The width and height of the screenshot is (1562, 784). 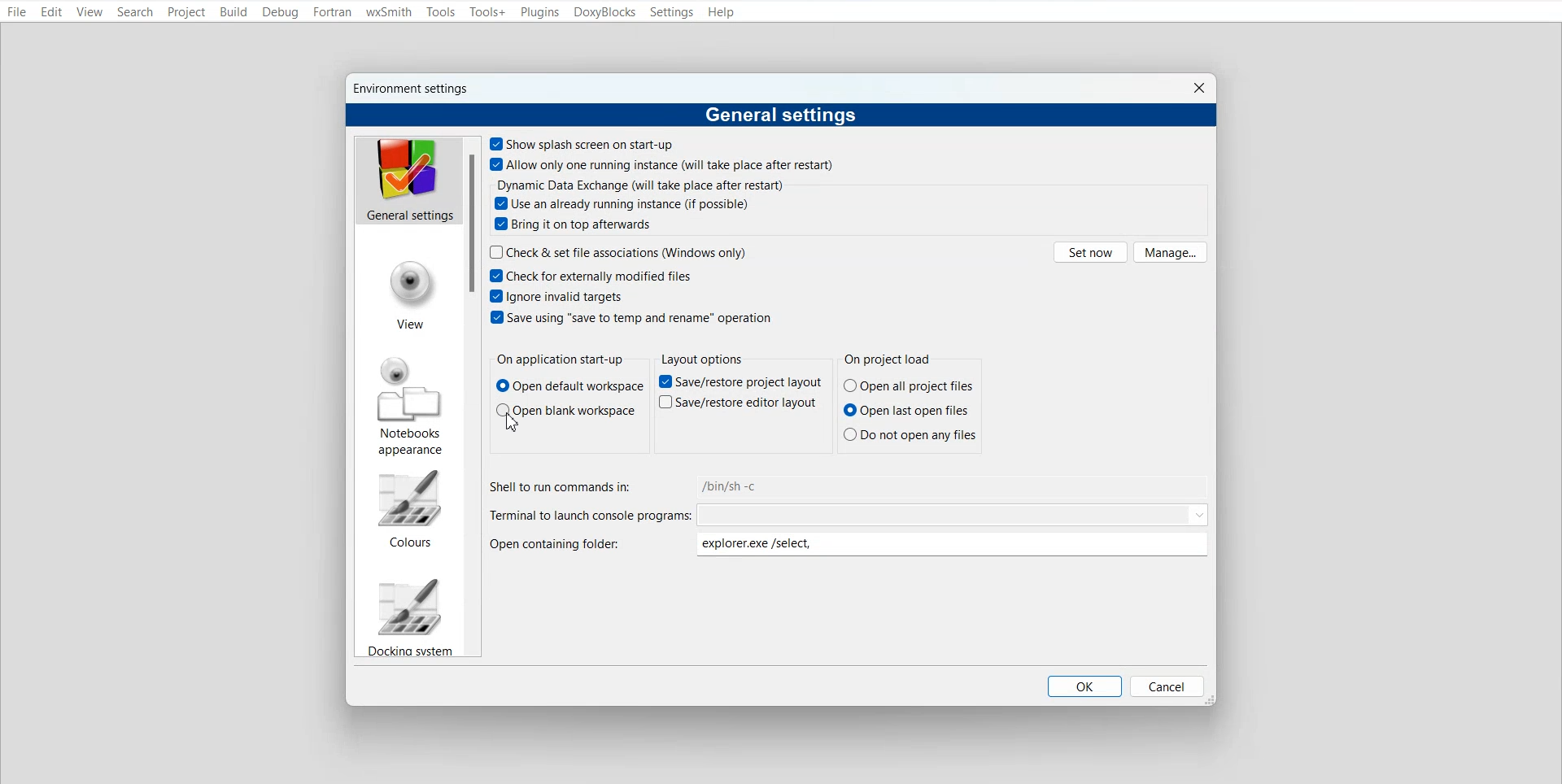 I want to click on Save/restore editor layout, so click(x=737, y=402).